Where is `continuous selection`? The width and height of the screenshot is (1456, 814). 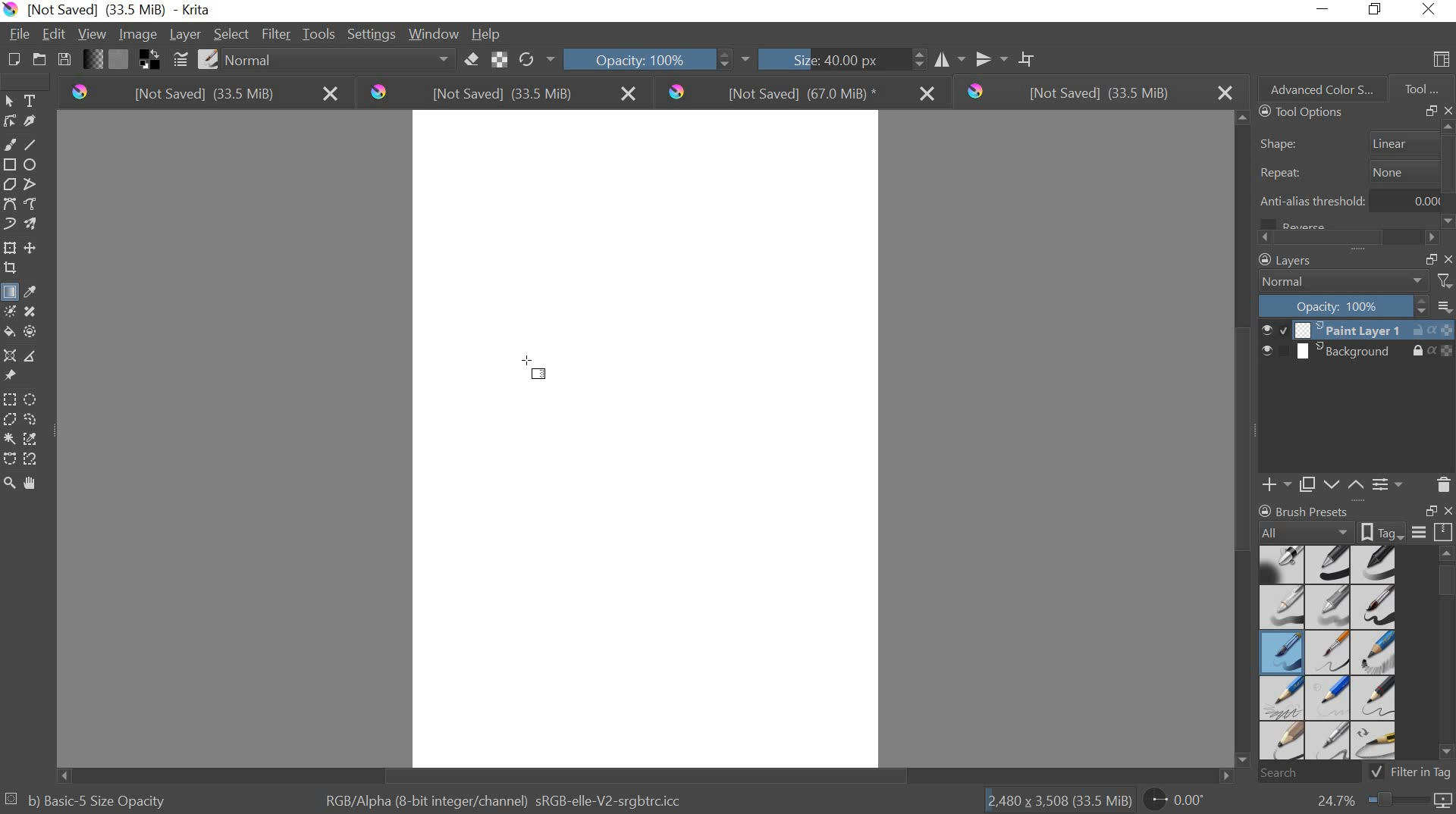
continuous selection is located at coordinates (9, 438).